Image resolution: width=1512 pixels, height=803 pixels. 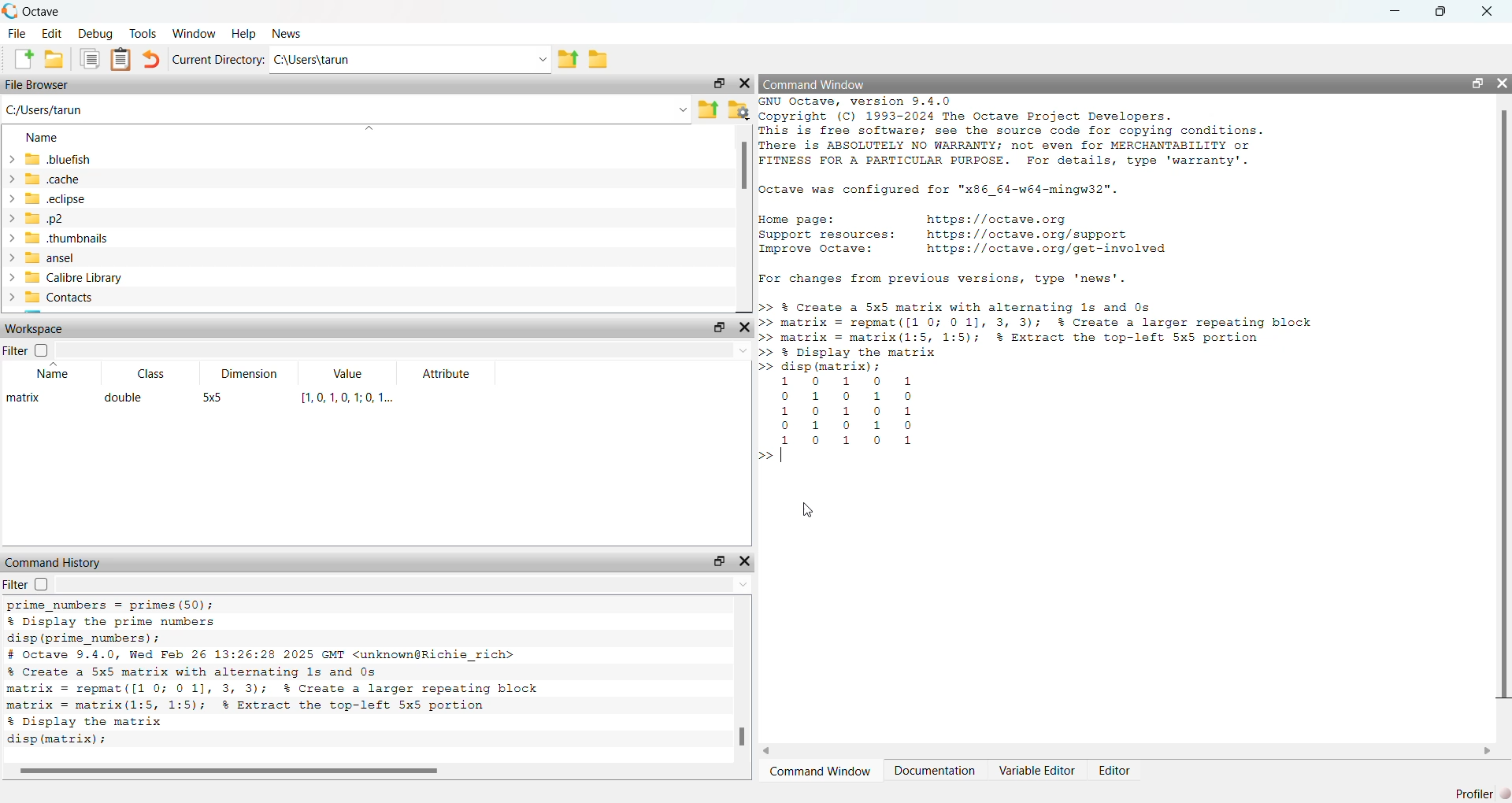 What do you see at coordinates (12, 228) in the screenshot?
I see `expand/collapse` at bounding box center [12, 228].